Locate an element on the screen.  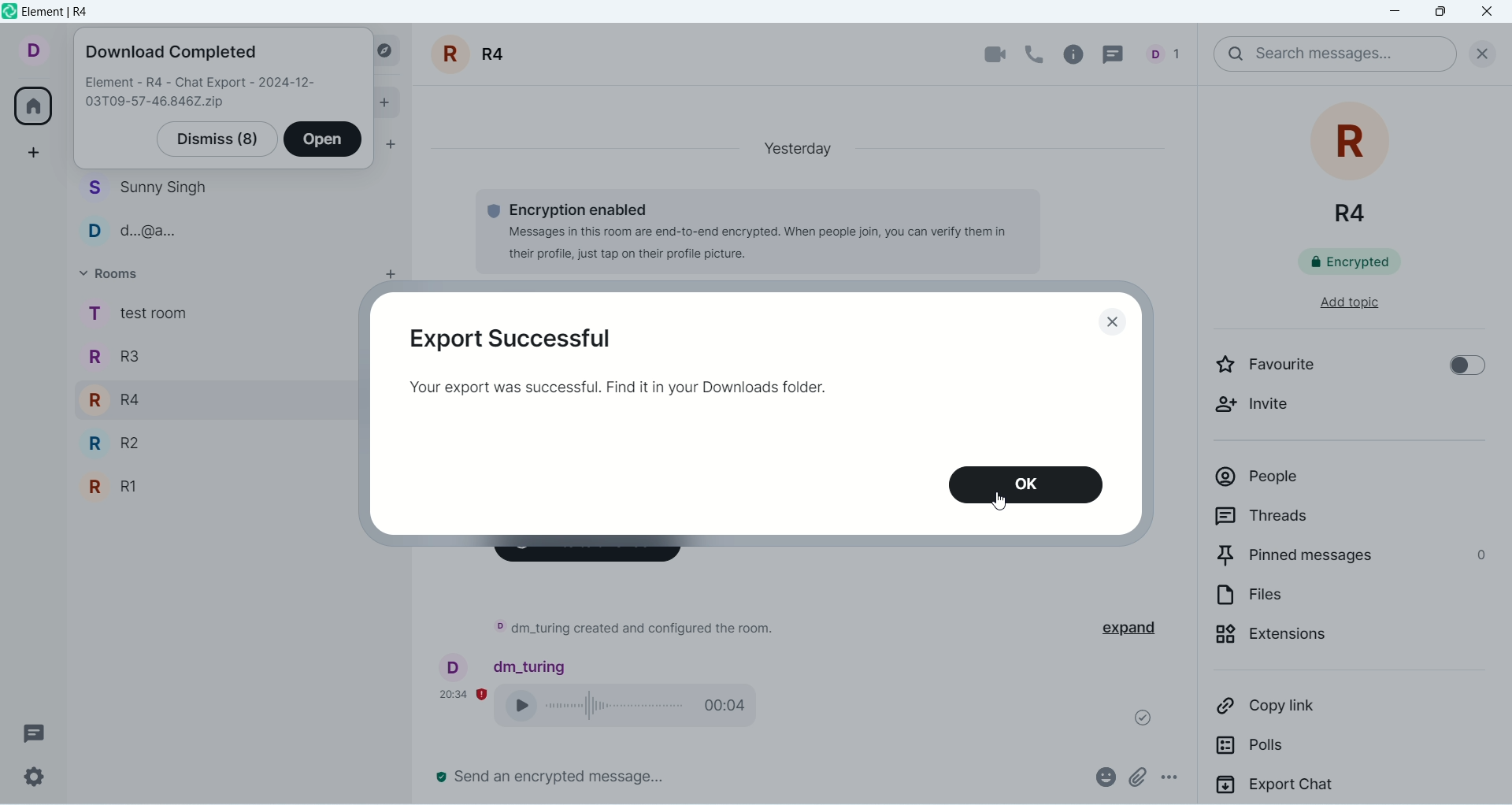
export chat is located at coordinates (1347, 788).